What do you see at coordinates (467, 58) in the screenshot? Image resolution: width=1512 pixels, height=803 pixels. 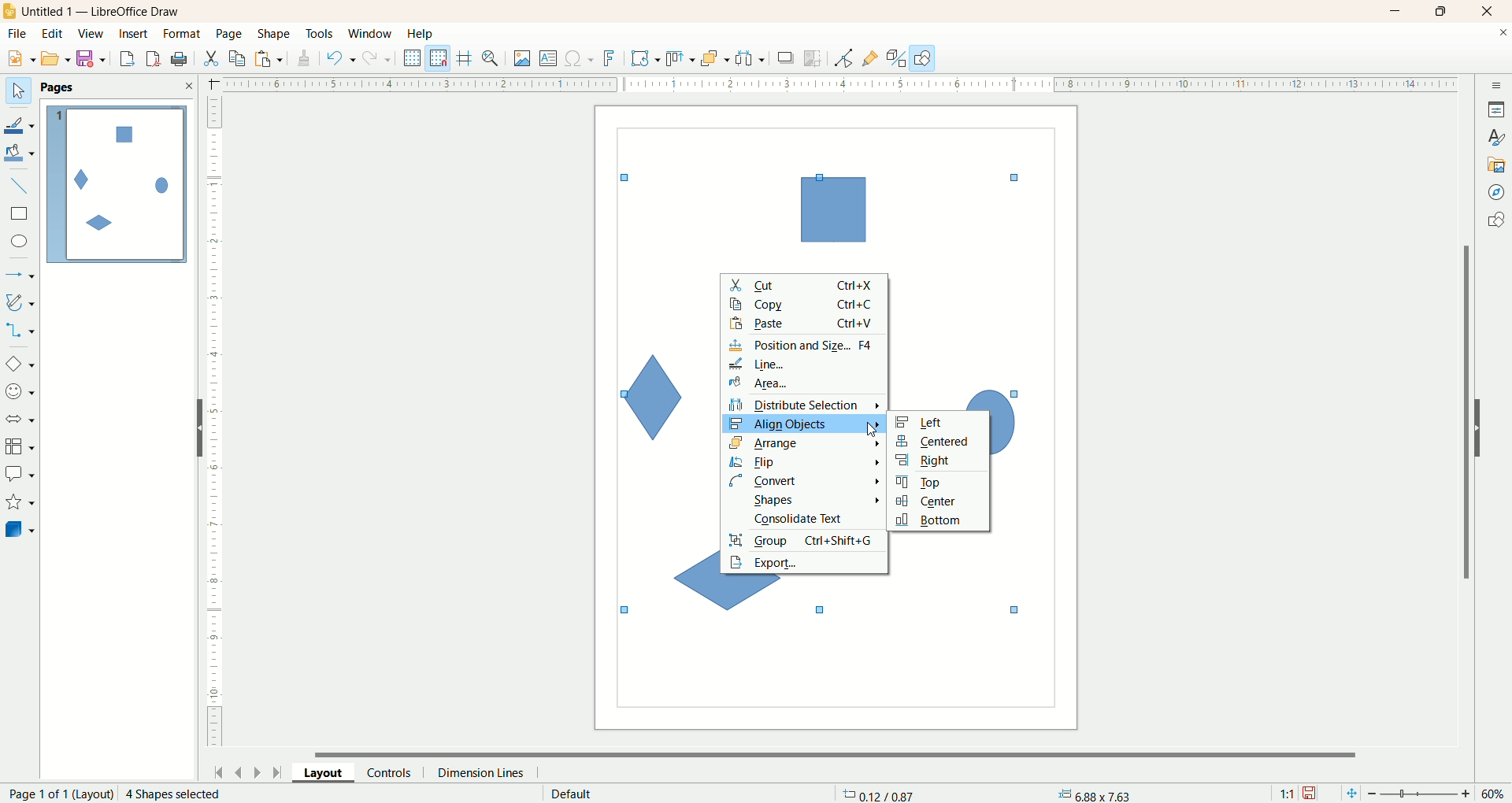 I see `helplines` at bounding box center [467, 58].